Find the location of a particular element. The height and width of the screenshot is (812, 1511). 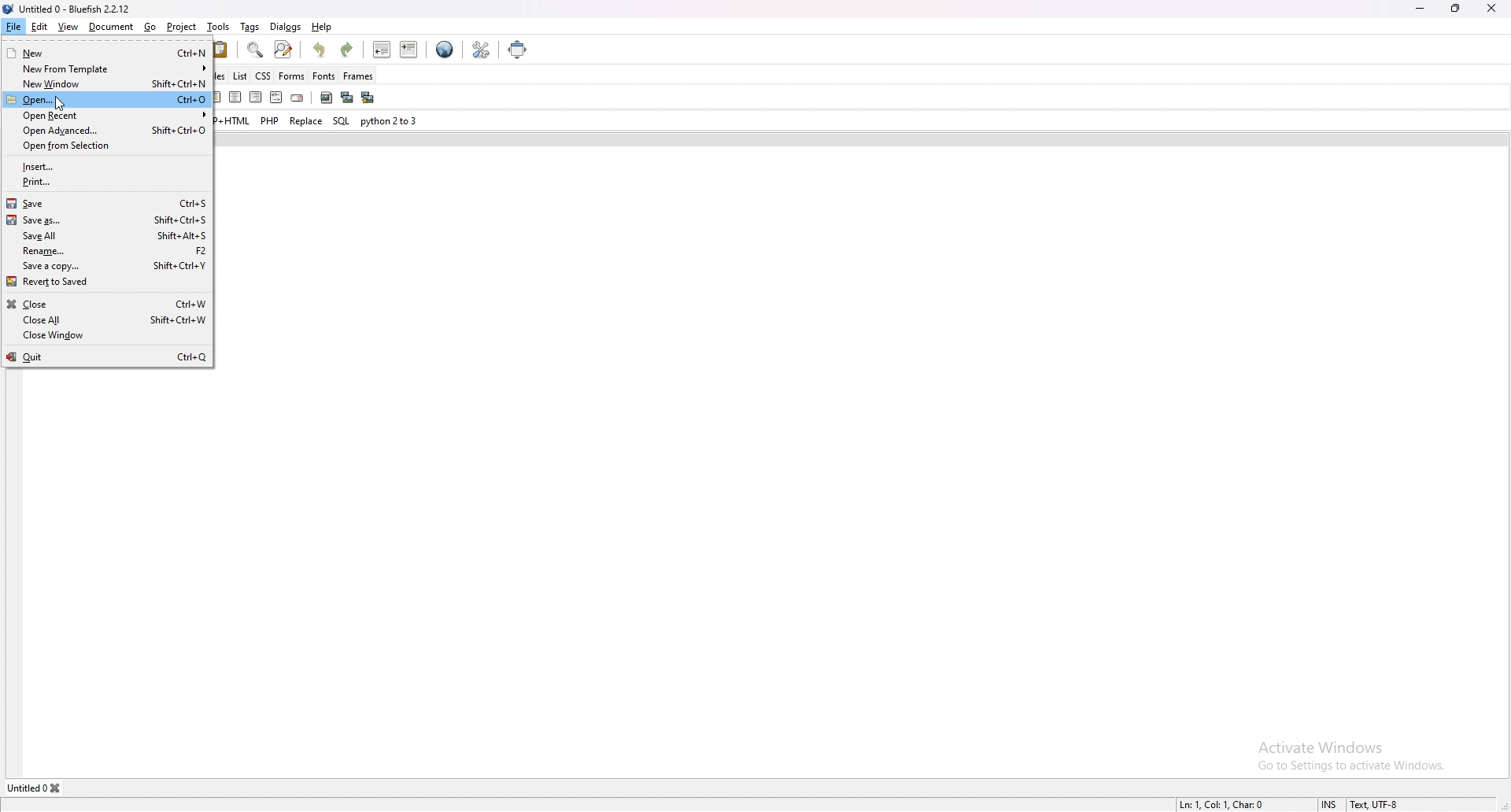

close all is located at coordinates (47, 319).